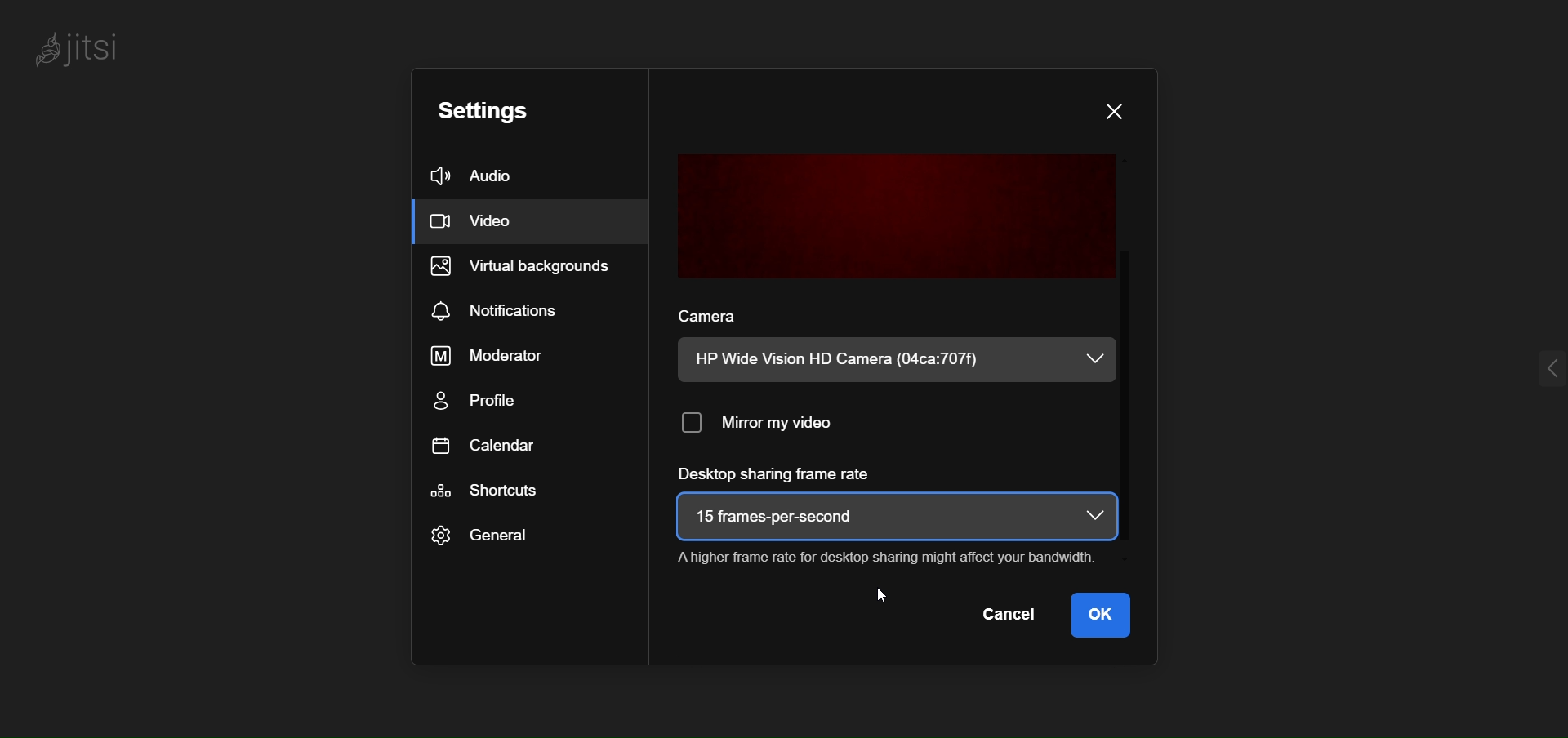 The image size is (1568, 738). I want to click on 15 frames-per-second, so click(785, 513).